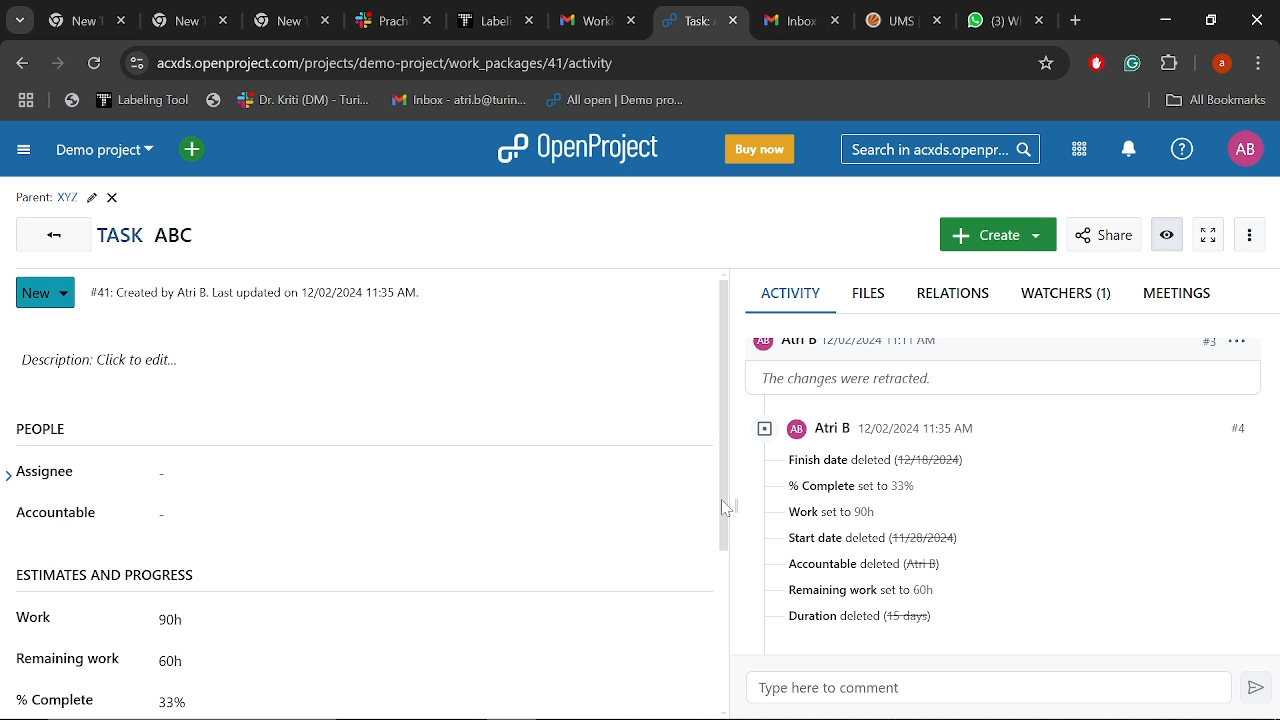 Image resolution: width=1280 pixels, height=720 pixels. Describe the element at coordinates (1006, 377) in the screenshot. I see `Change information` at that location.